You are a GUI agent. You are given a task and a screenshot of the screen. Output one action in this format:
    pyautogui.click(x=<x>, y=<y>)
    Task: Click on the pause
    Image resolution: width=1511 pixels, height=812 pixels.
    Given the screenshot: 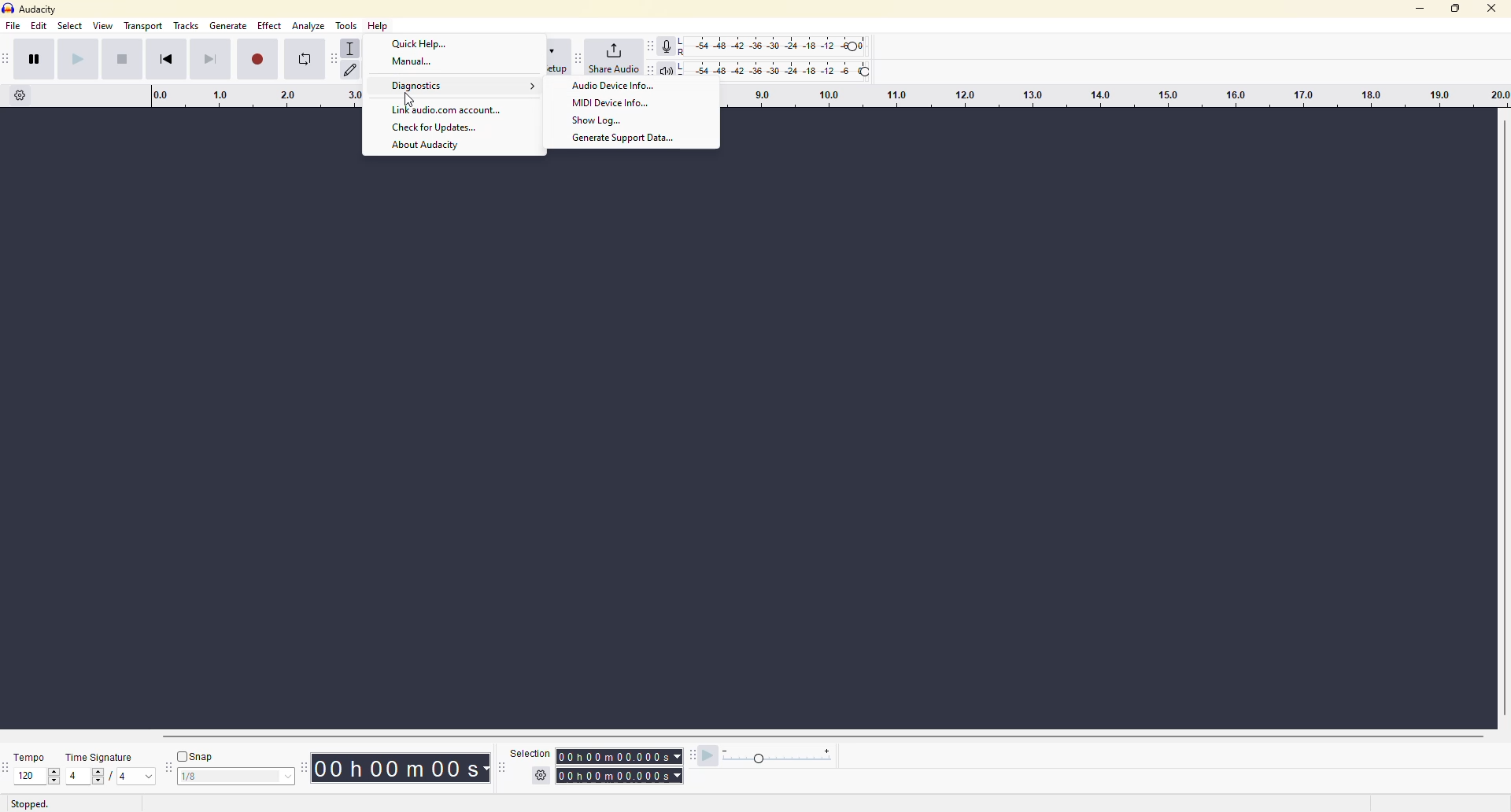 What is the action you would take?
    pyautogui.click(x=36, y=61)
    